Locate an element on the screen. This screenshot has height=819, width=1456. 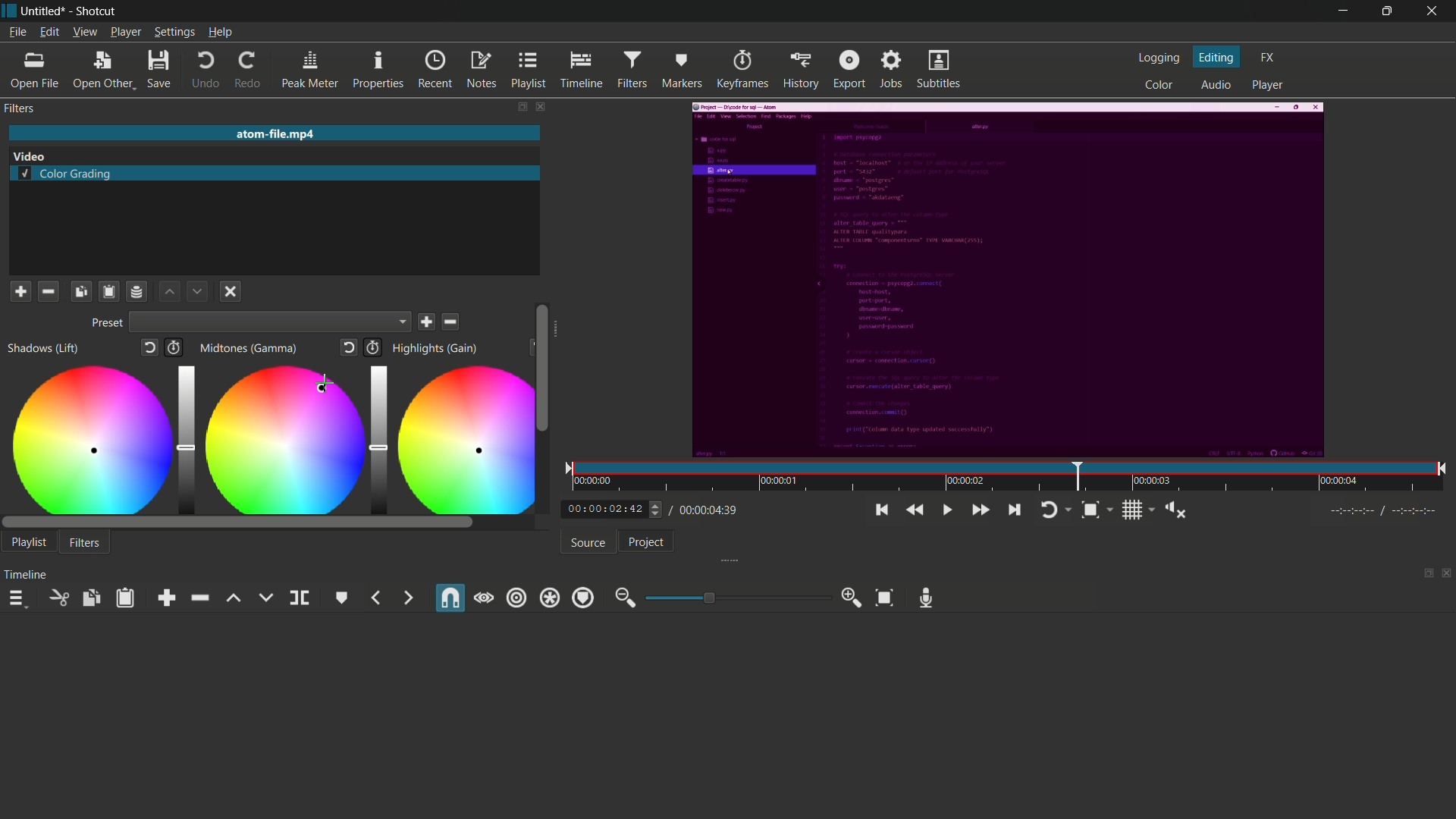
cut is located at coordinates (56, 597).